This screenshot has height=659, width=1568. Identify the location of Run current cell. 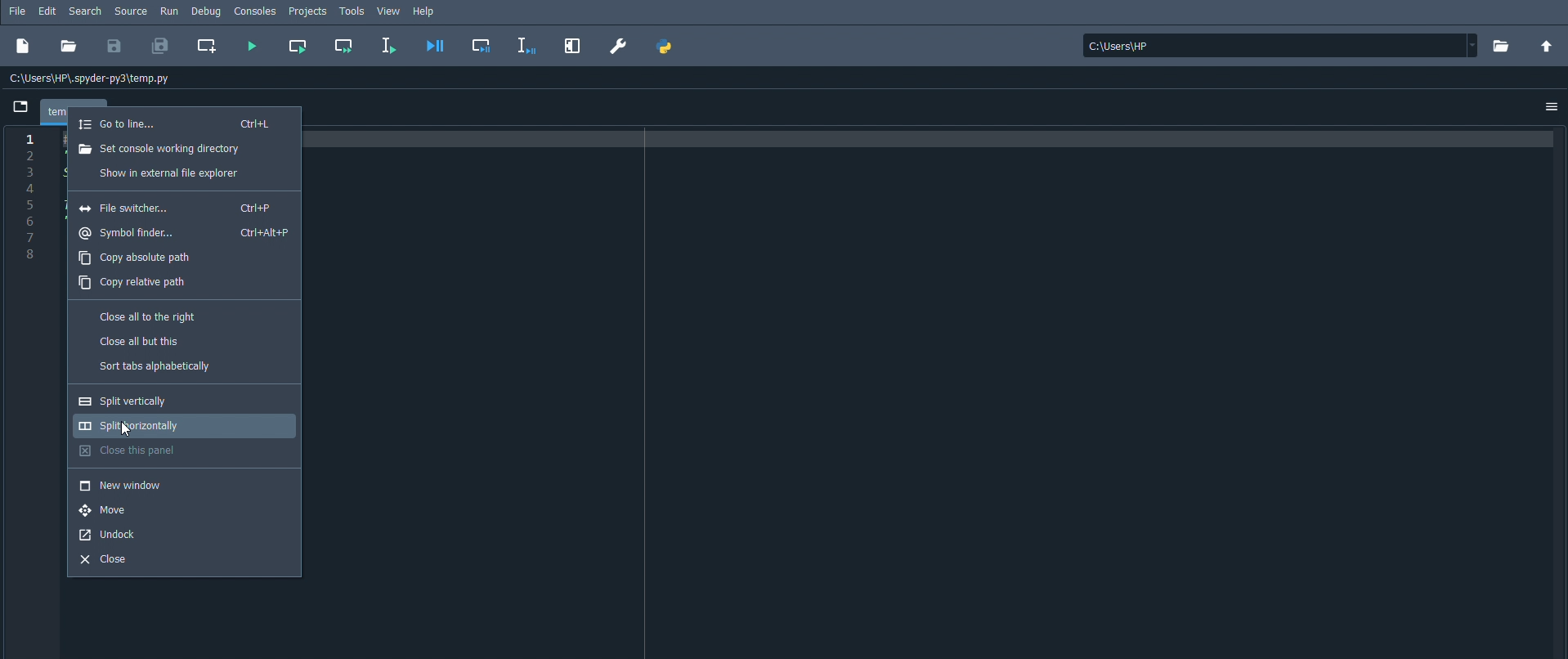
(298, 47).